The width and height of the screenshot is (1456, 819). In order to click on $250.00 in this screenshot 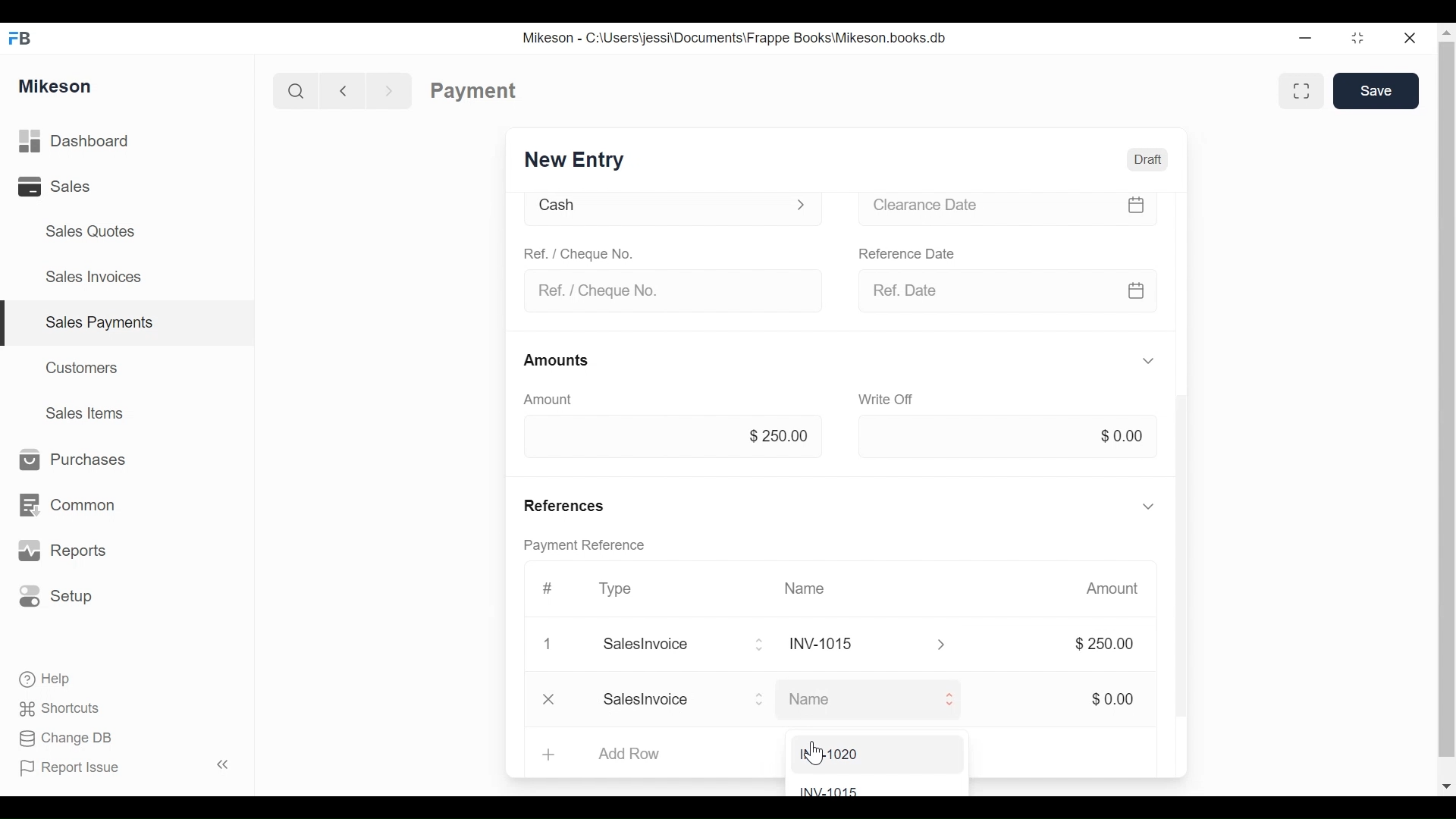, I will do `click(1115, 645)`.